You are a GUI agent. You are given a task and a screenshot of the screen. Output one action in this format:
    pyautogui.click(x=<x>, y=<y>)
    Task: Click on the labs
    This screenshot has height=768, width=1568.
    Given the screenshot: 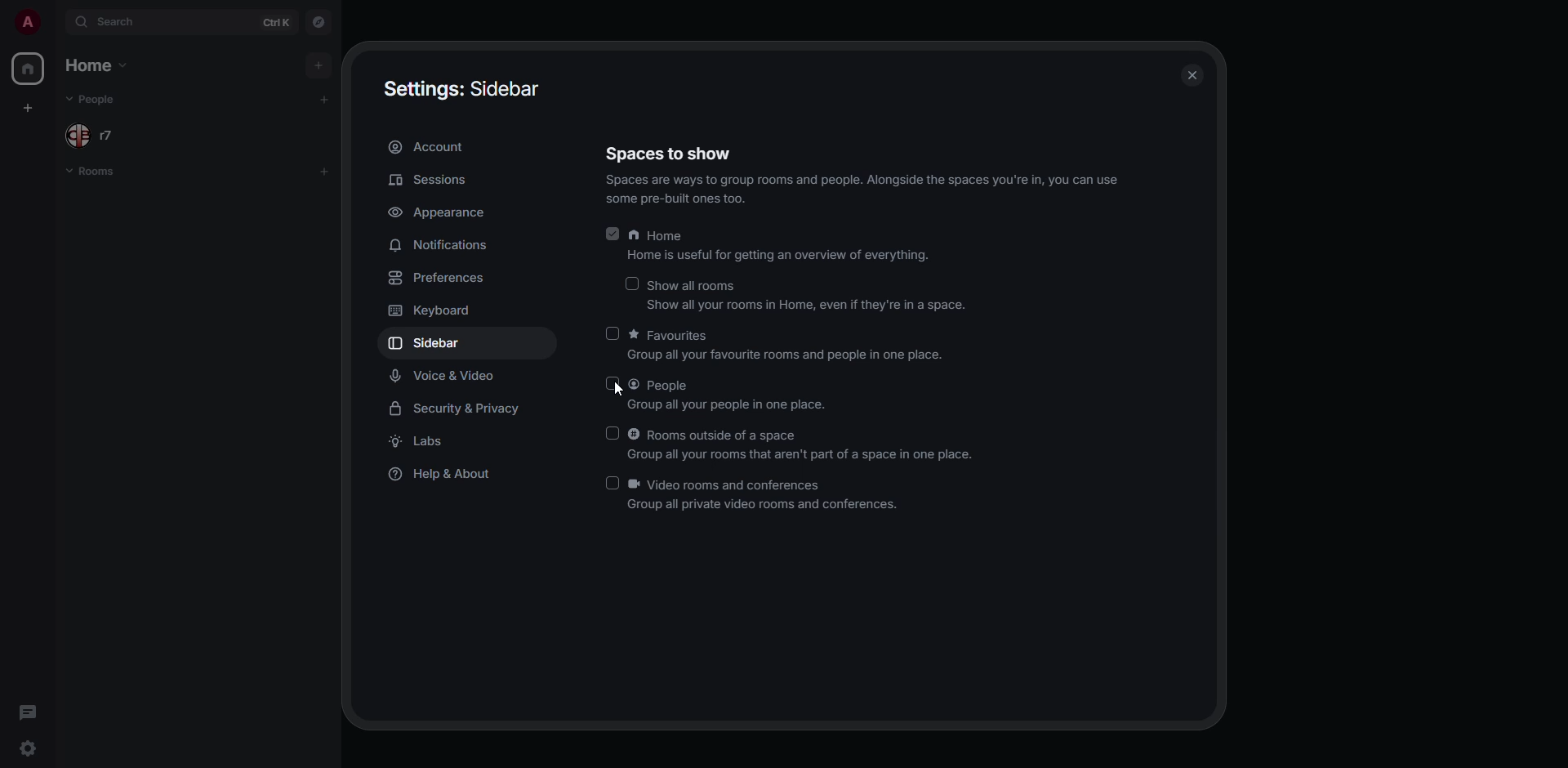 What is the action you would take?
    pyautogui.click(x=418, y=443)
    